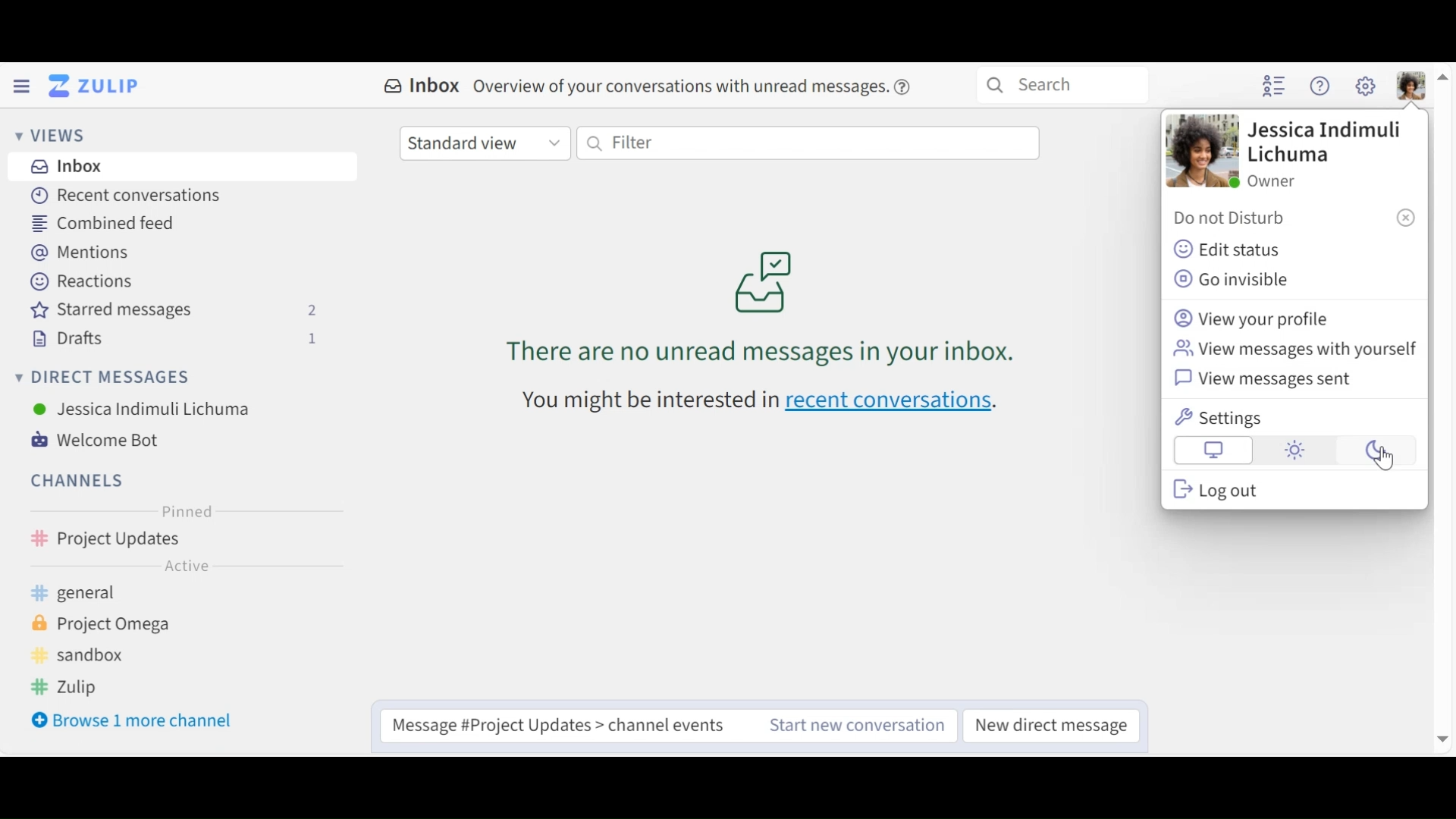 The image size is (1456, 819). I want to click on Active, so click(184, 568).